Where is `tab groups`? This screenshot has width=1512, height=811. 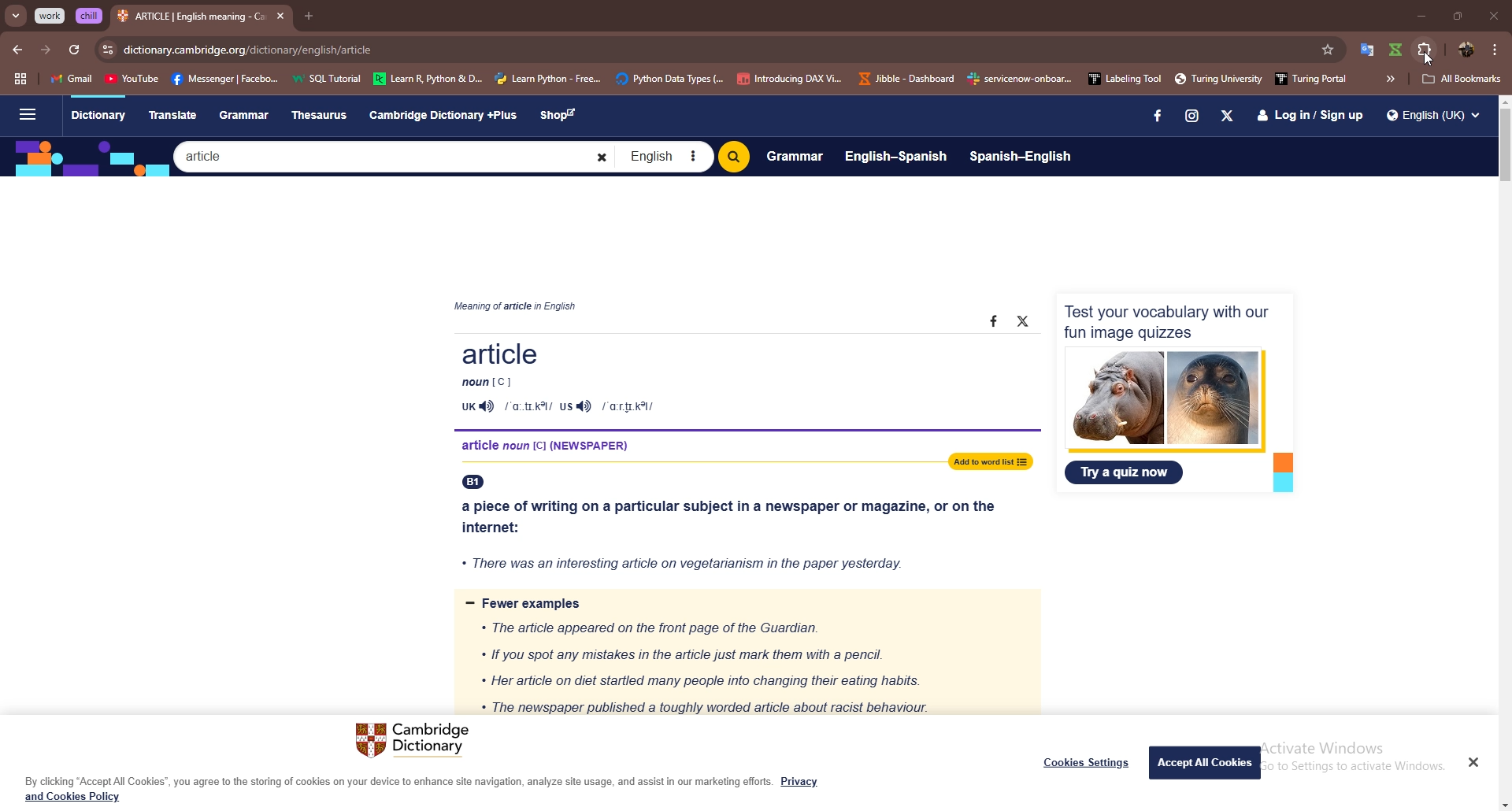
tab groups is located at coordinates (20, 80).